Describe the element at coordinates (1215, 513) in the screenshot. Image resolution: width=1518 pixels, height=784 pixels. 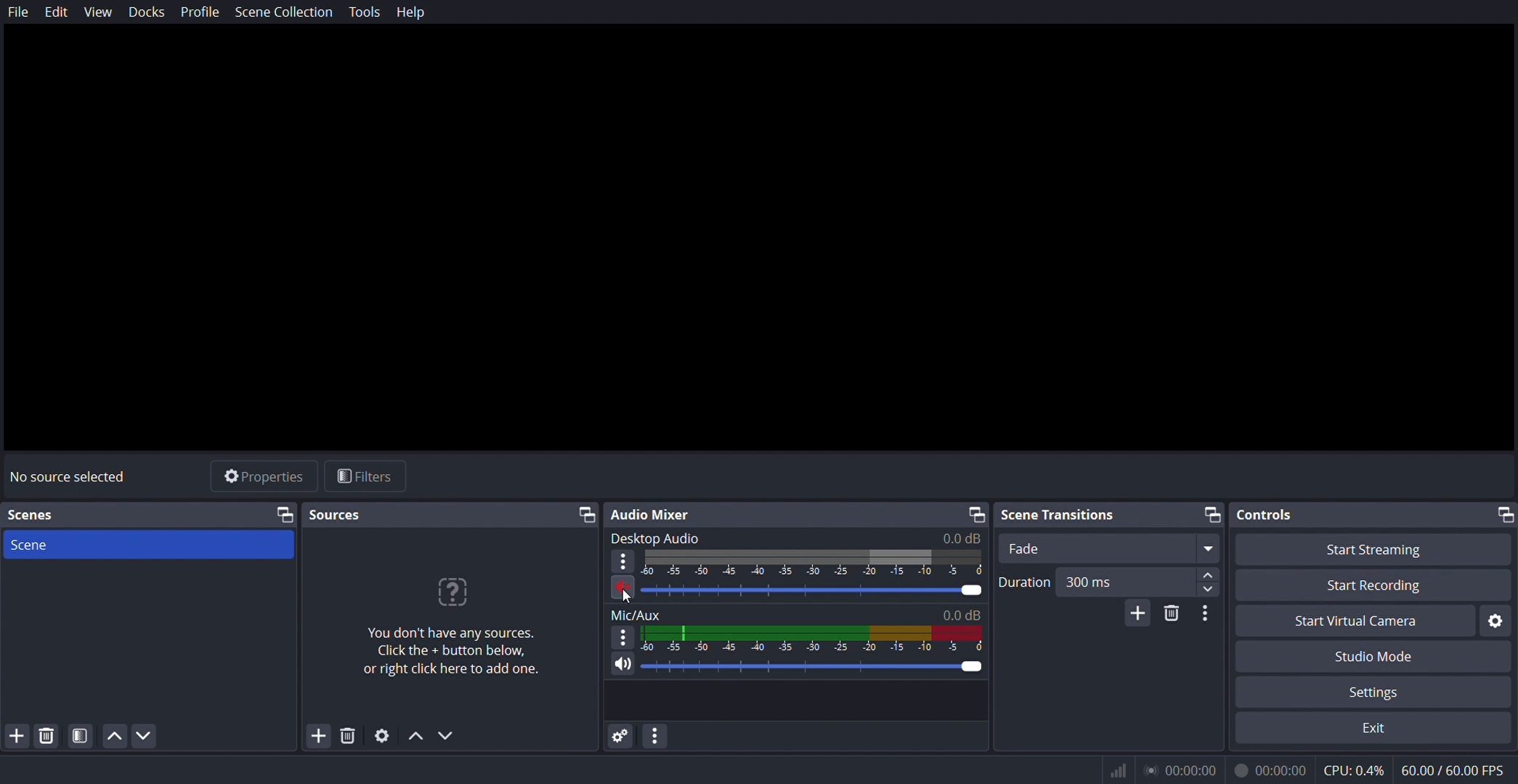
I see `restore` at that location.